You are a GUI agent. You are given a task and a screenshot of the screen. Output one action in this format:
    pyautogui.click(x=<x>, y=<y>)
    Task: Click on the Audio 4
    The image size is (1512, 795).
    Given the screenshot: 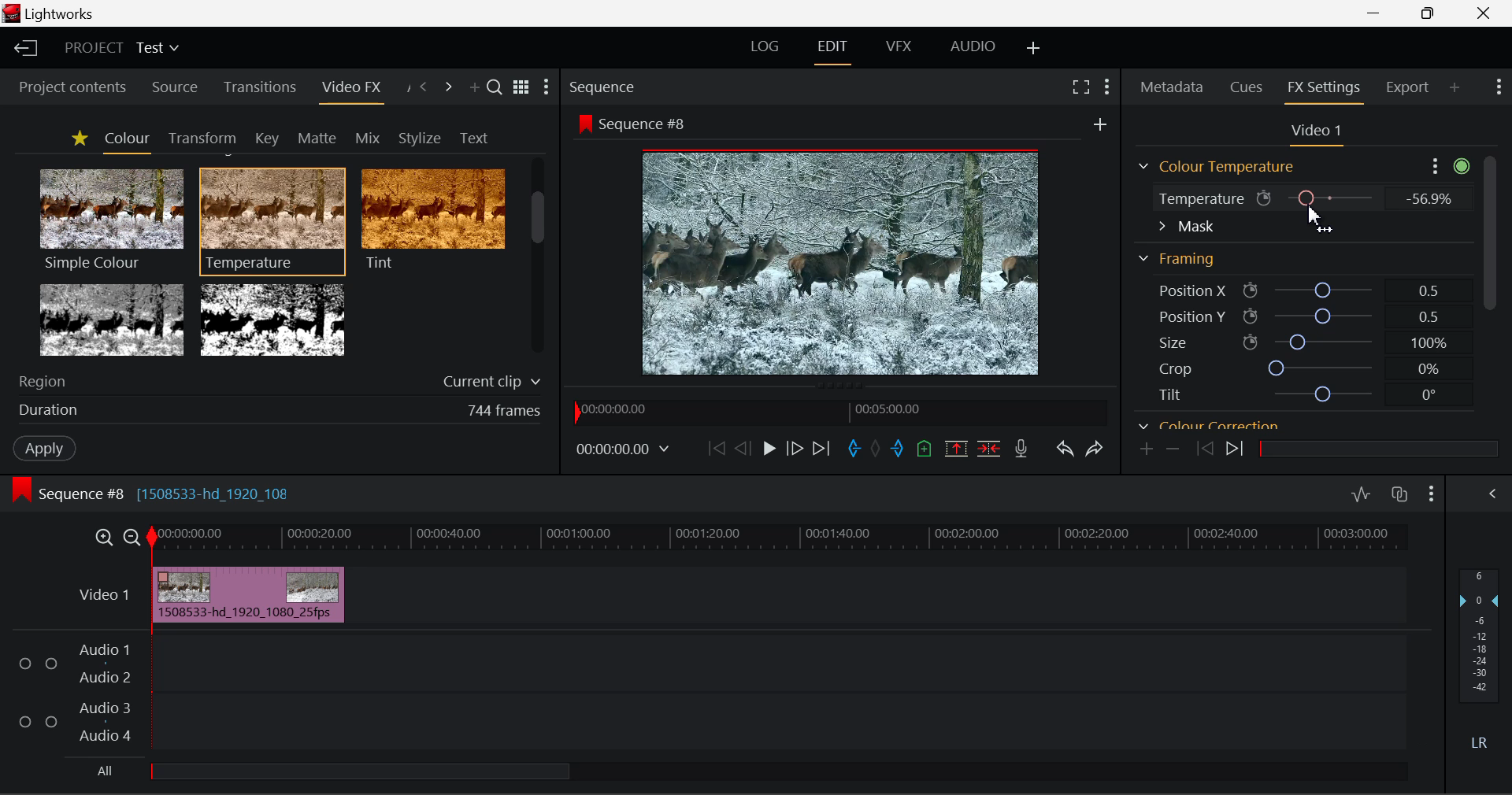 What is the action you would take?
    pyautogui.click(x=102, y=733)
    